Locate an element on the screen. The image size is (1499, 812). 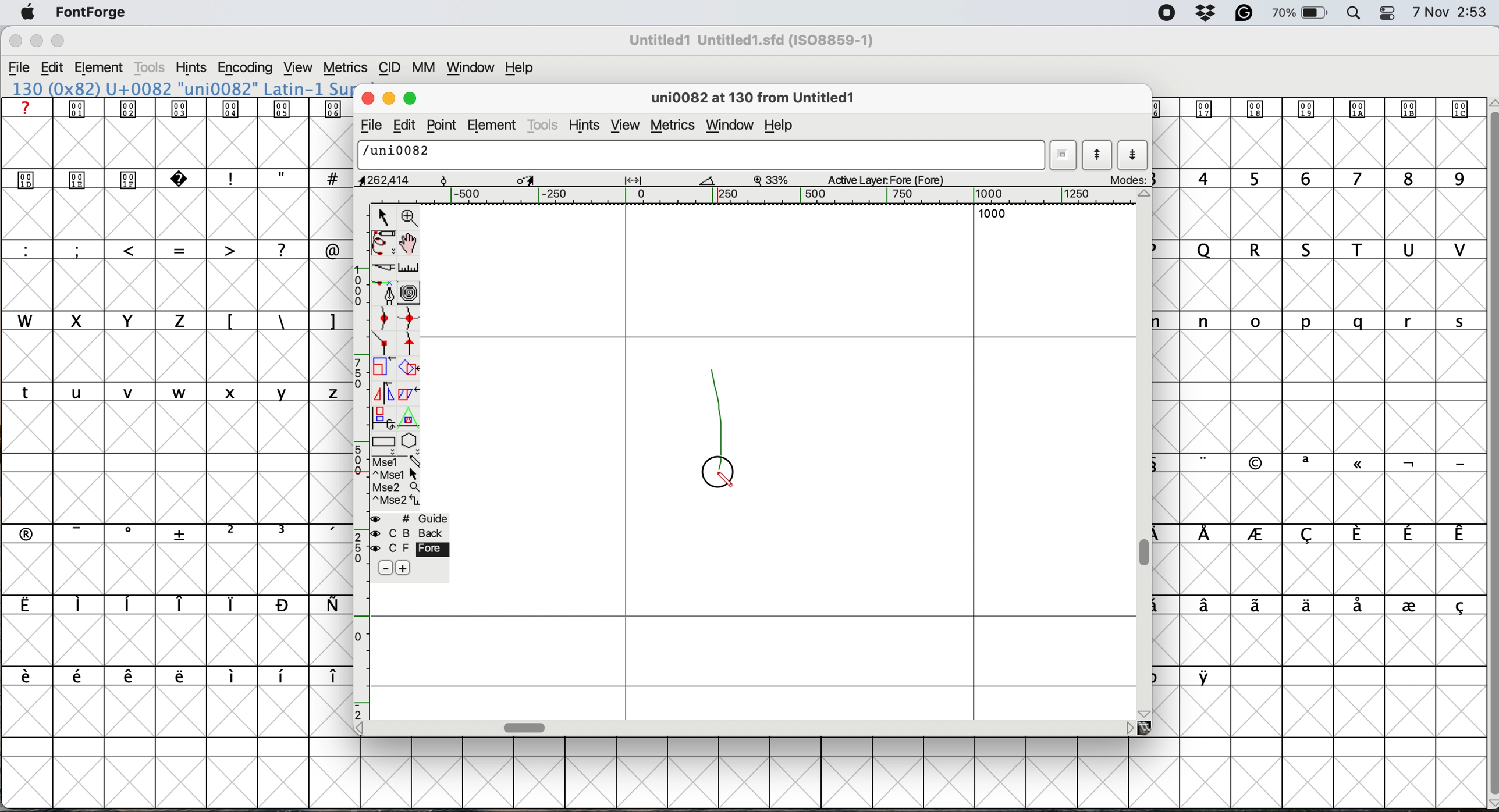
edit is located at coordinates (407, 125).